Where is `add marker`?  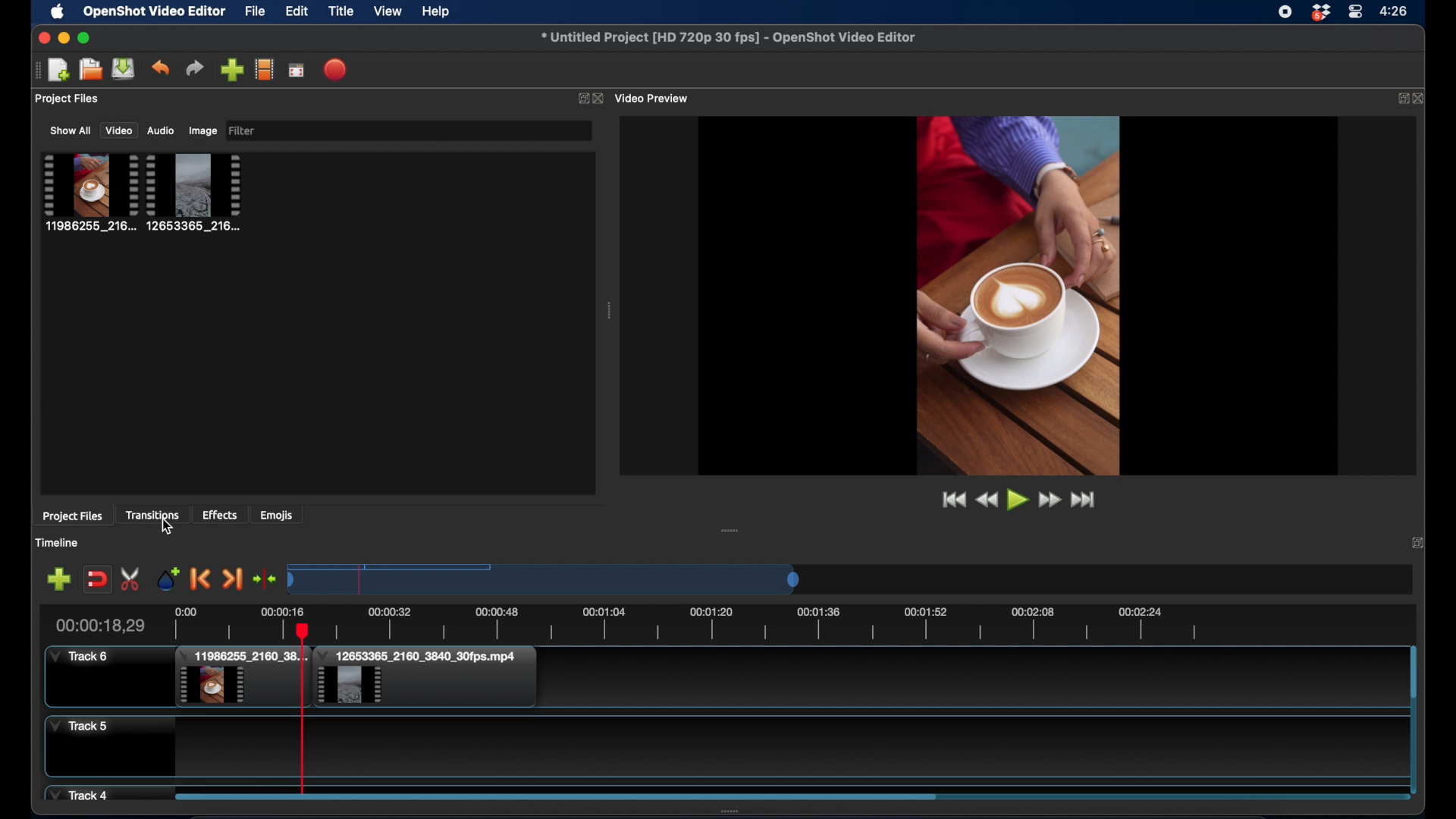 add marker is located at coordinates (58, 579).